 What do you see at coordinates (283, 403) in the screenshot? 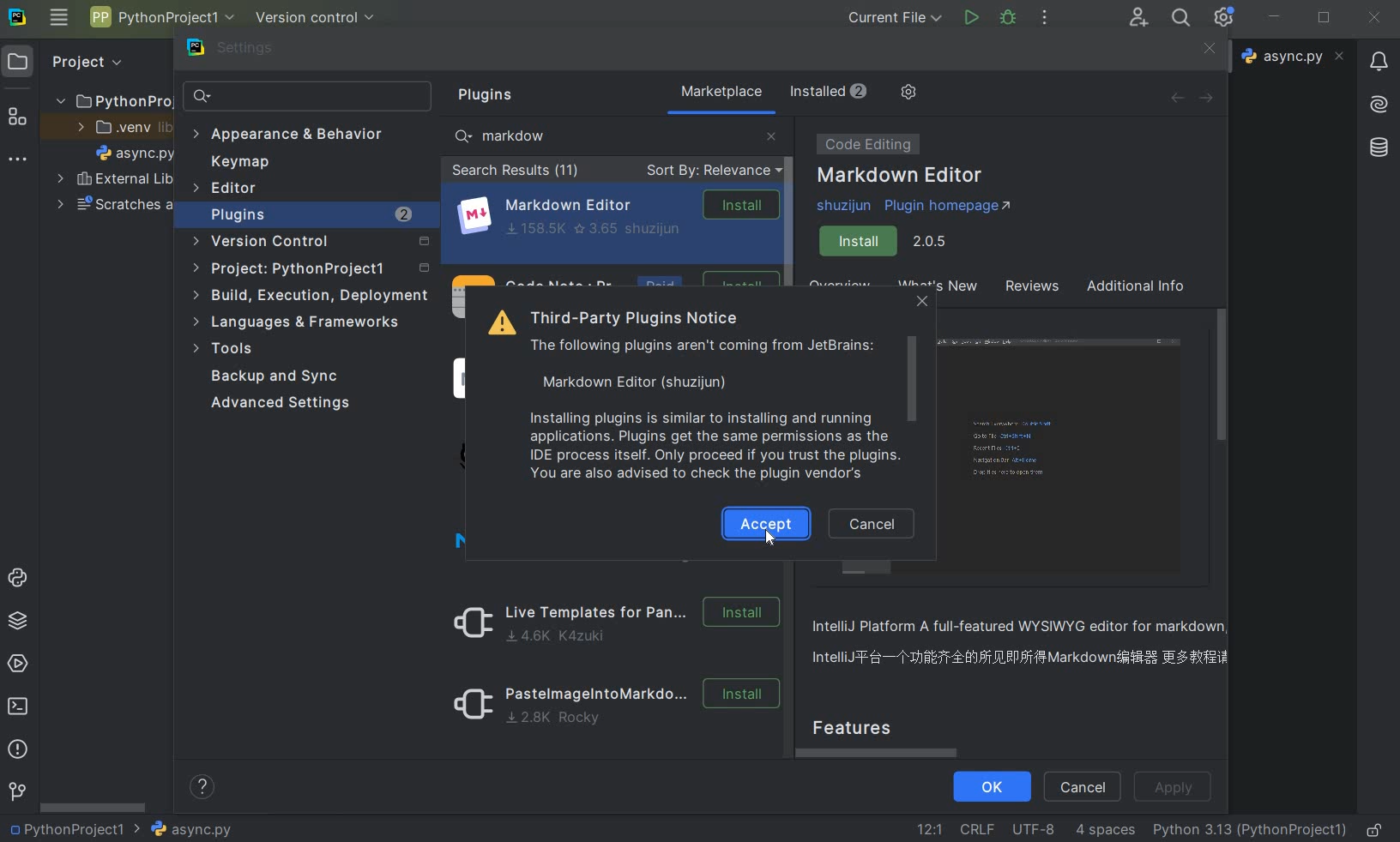
I see `advanced settings` at bounding box center [283, 403].